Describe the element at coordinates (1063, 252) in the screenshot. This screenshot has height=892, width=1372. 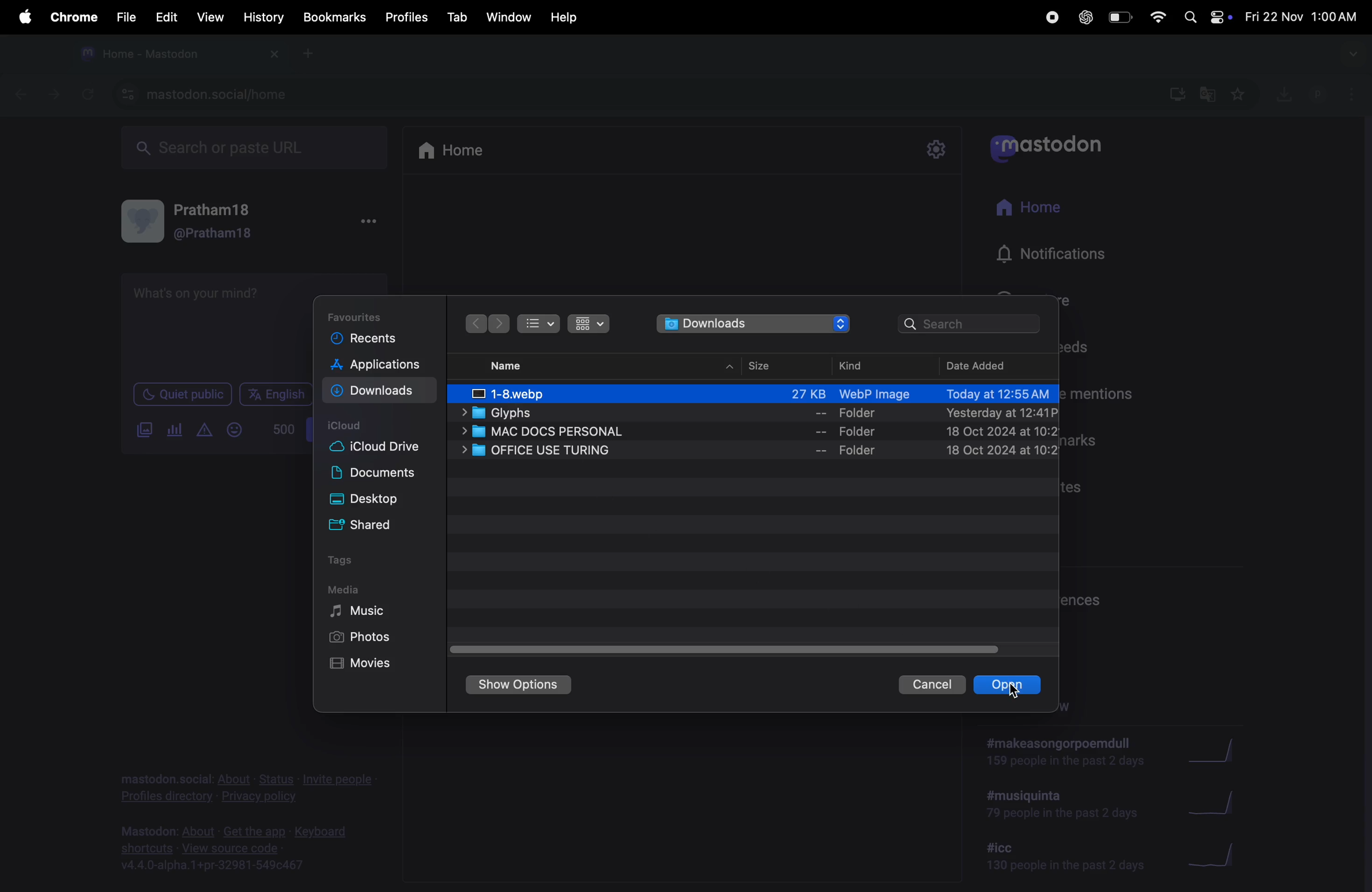
I see `notifications` at that location.